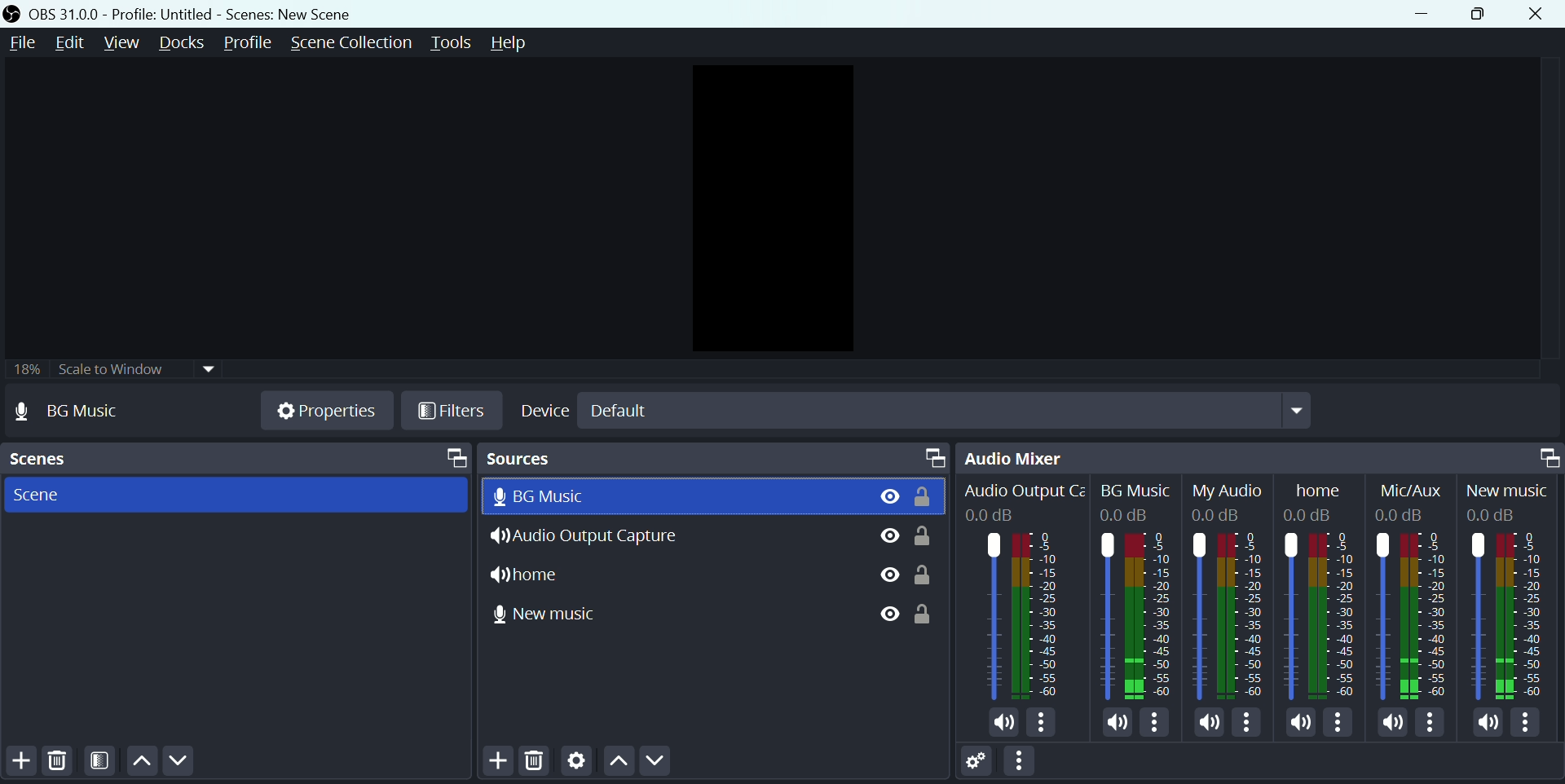  Describe the element at coordinates (928, 536) in the screenshot. I see `lock/unlock` at that location.